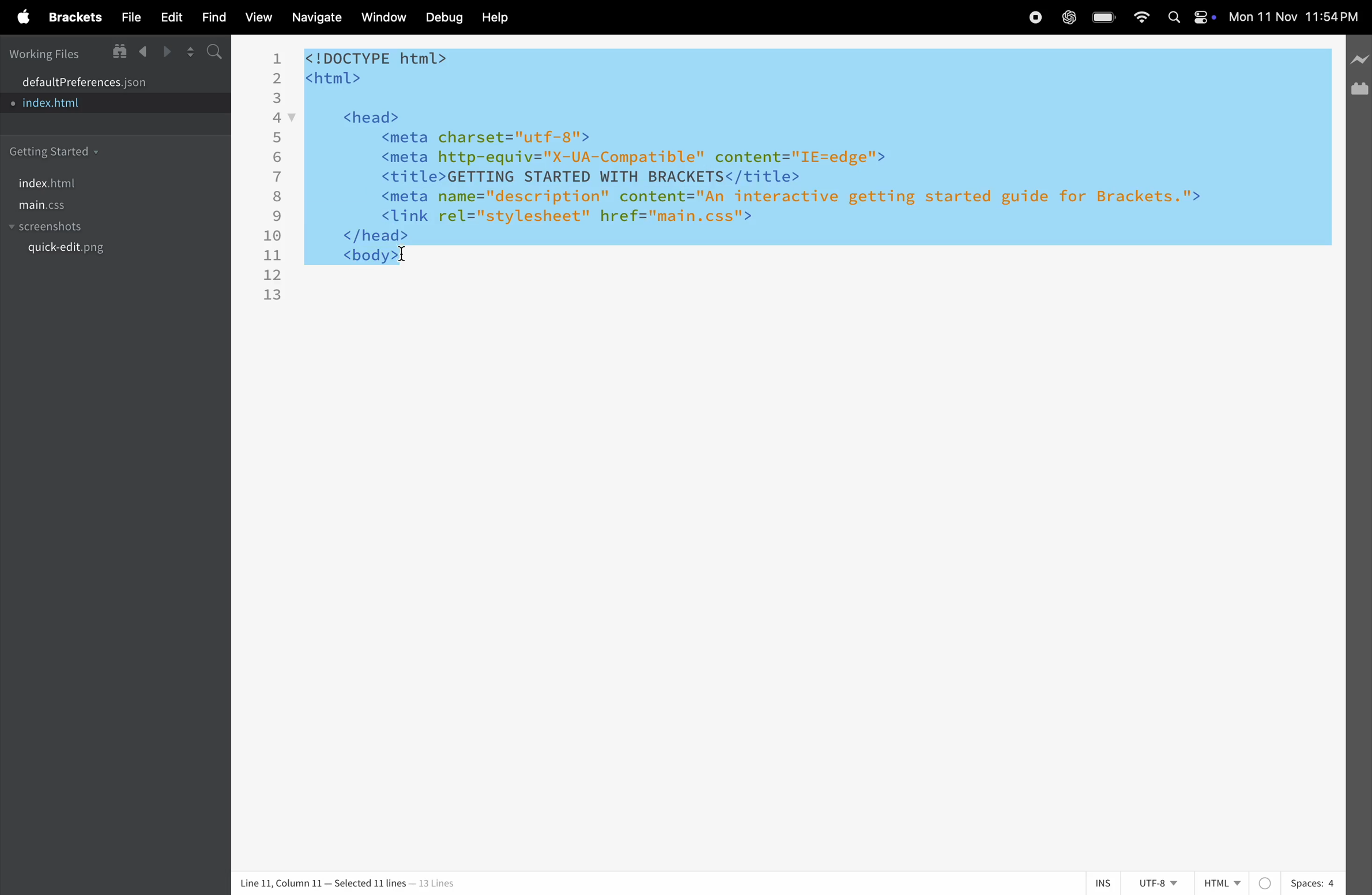  What do you see at coordinates (216, 17) in the screenshot?
I see `find` at bounding box center [216, 17].